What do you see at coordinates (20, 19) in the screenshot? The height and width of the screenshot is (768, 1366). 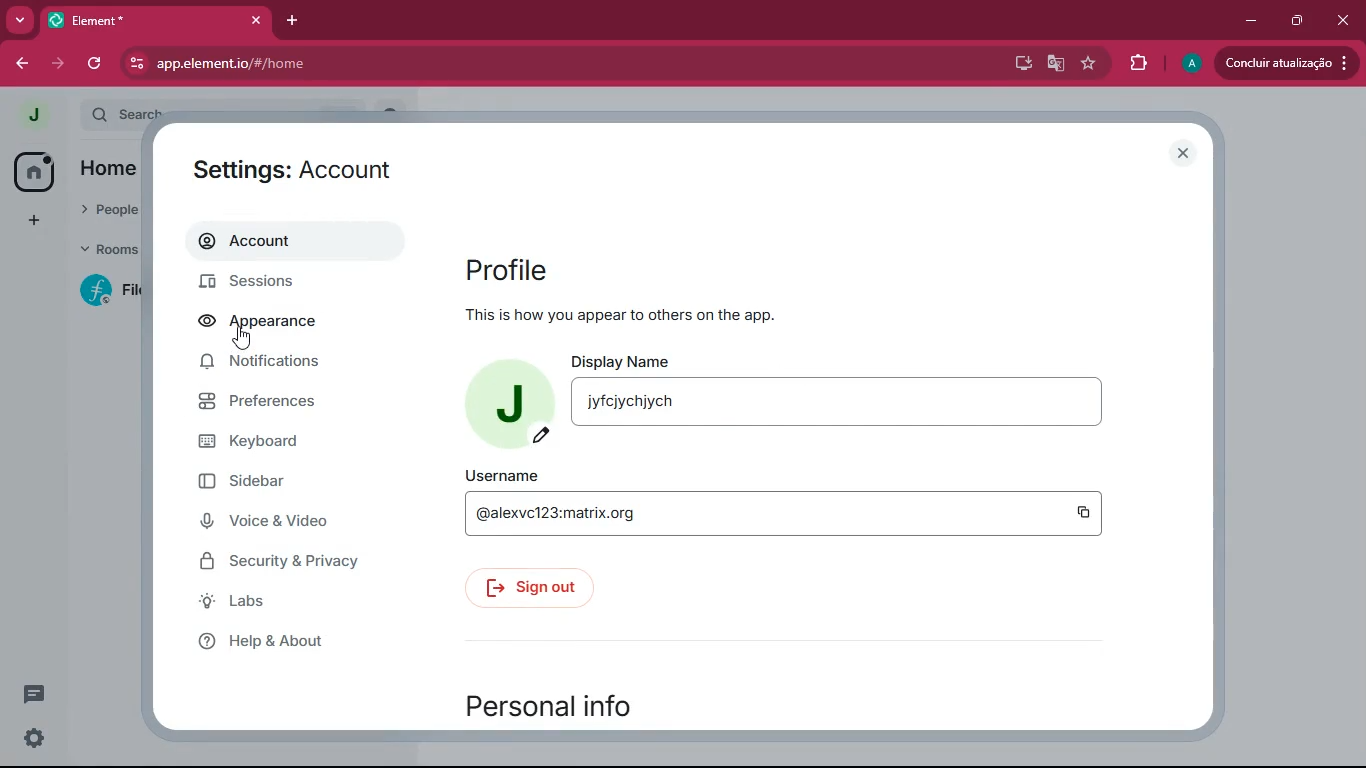 I see `more` at bounding box center [20, 19].